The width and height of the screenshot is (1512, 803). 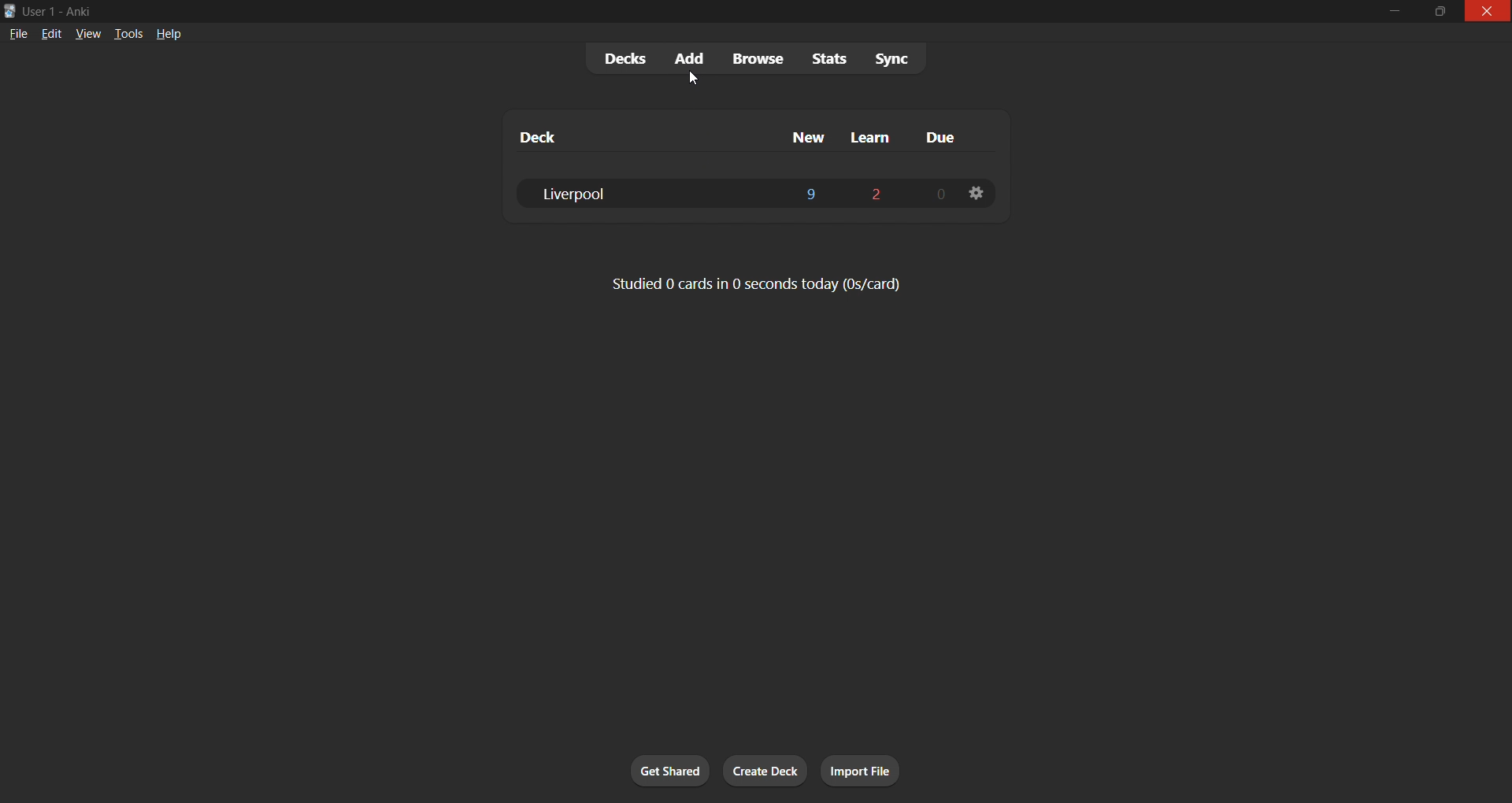 What do you see at coordinates (894, 59) in the screenshot?
I see `sync` at bounding box center [894, 59].